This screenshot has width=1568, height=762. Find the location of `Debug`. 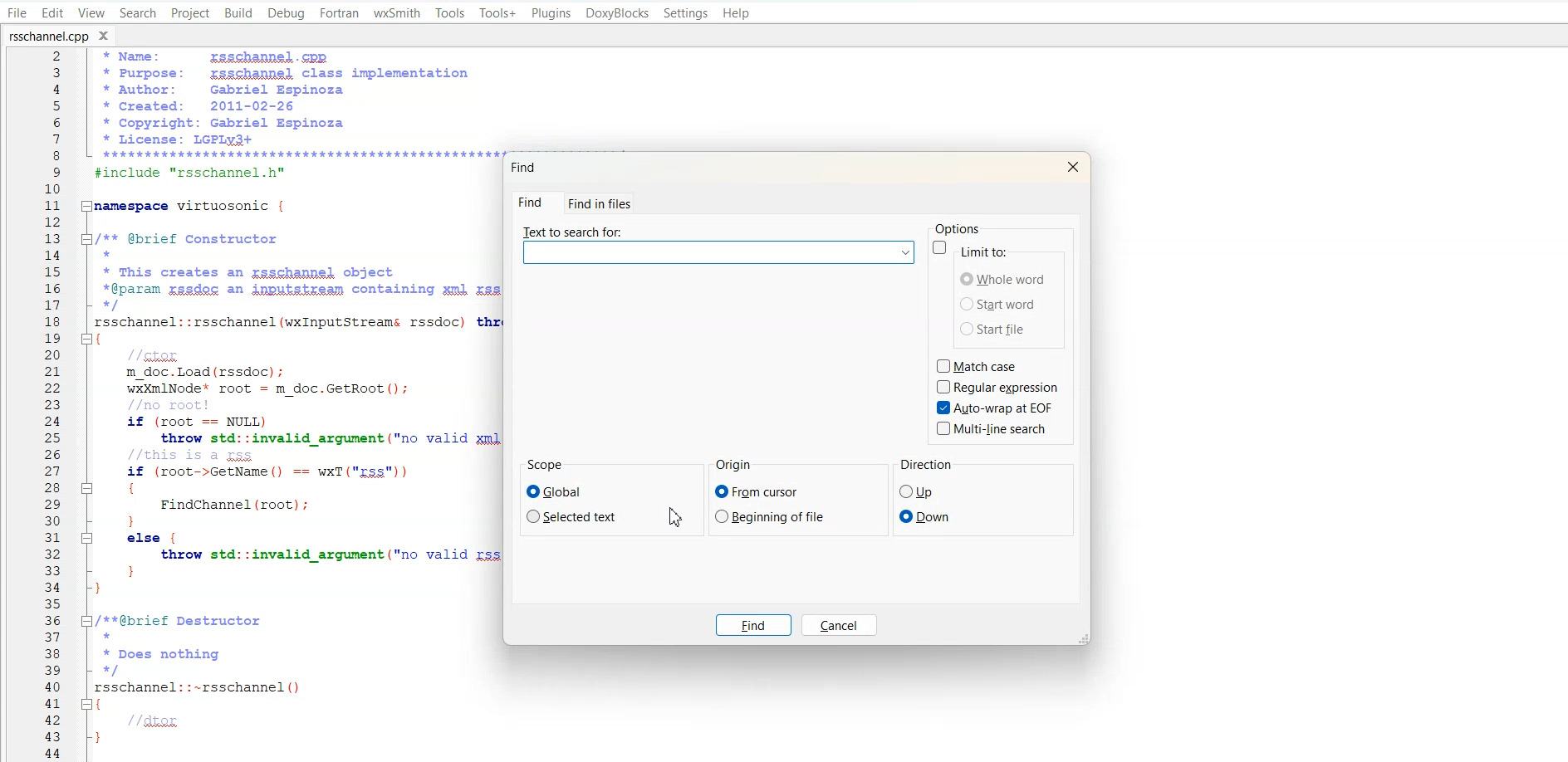

Debug is located at coordinates (287, 12).